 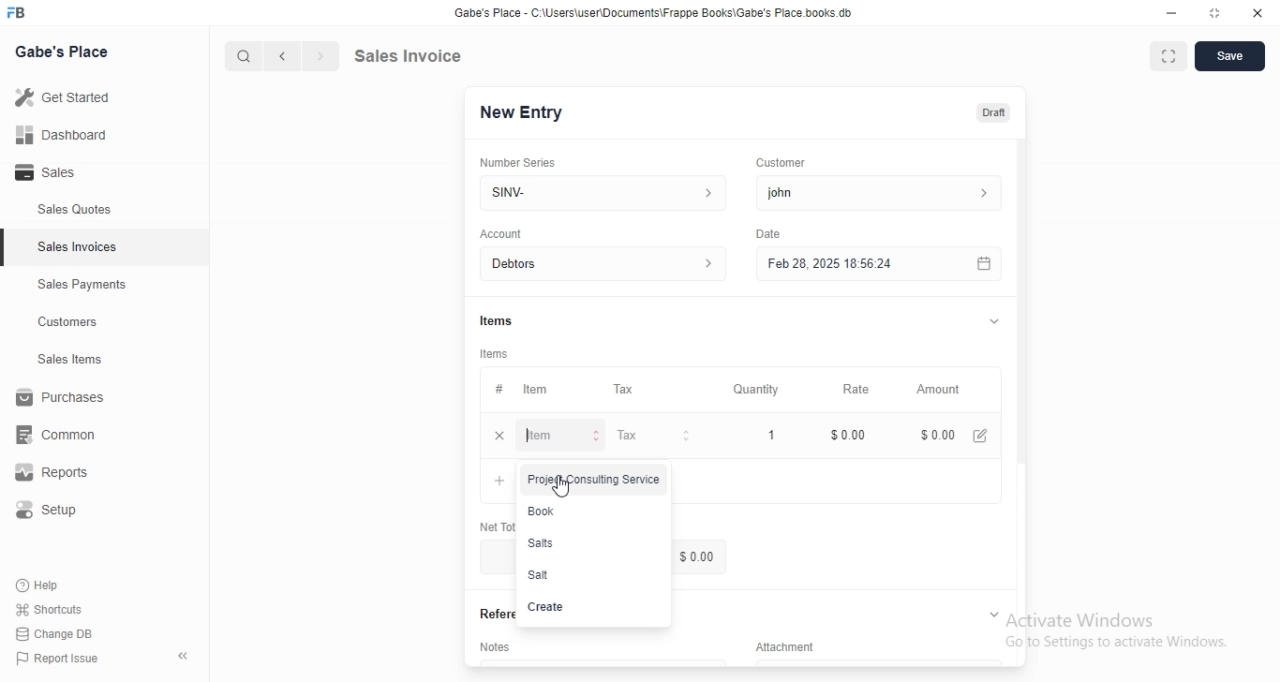 What do you see at coordinates (583, 545) in the screenshot?
I see `Sats` at bounding box center [583, 545].